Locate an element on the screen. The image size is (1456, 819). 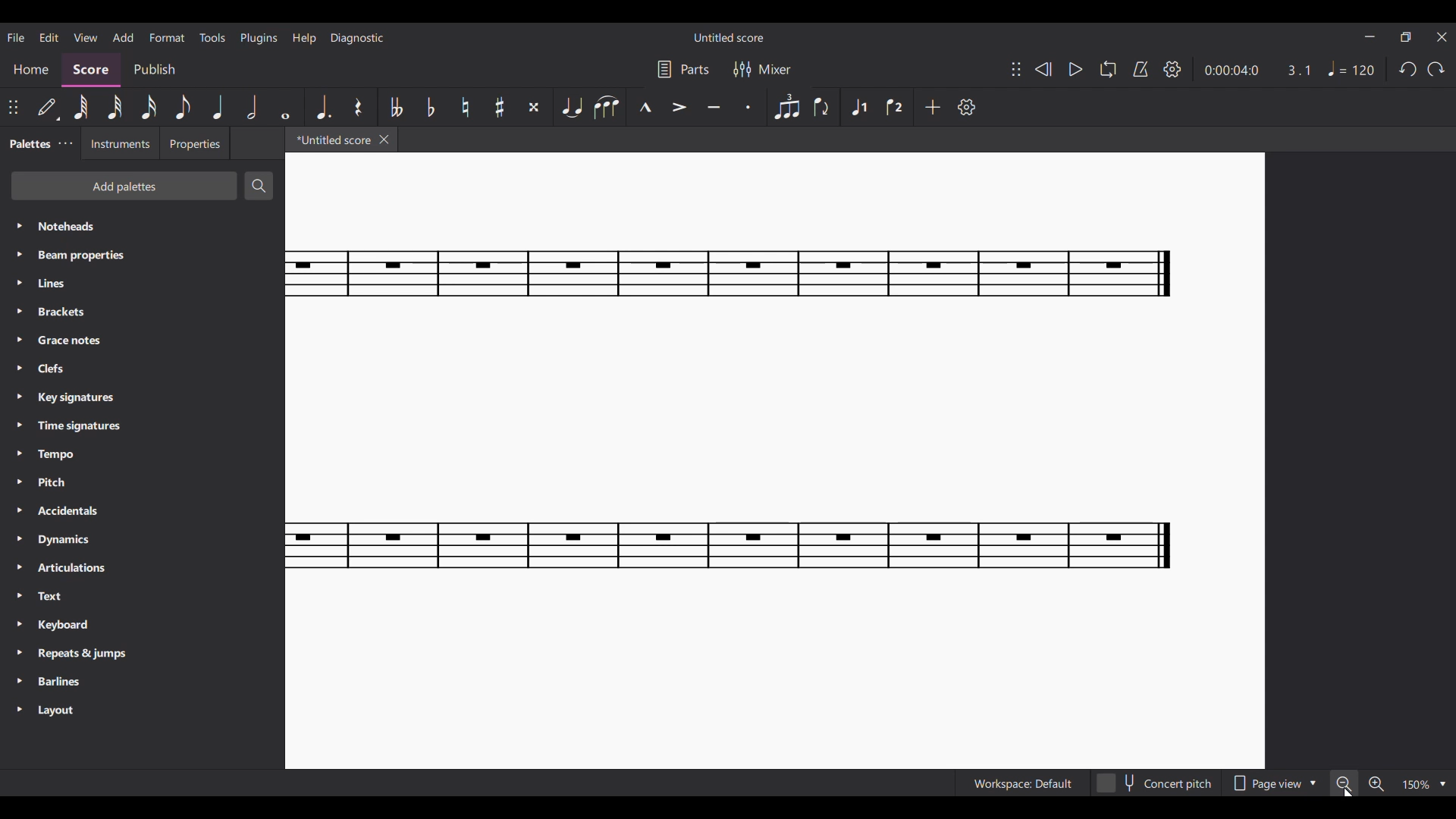
Clefs is located at coordinates (142, 369).